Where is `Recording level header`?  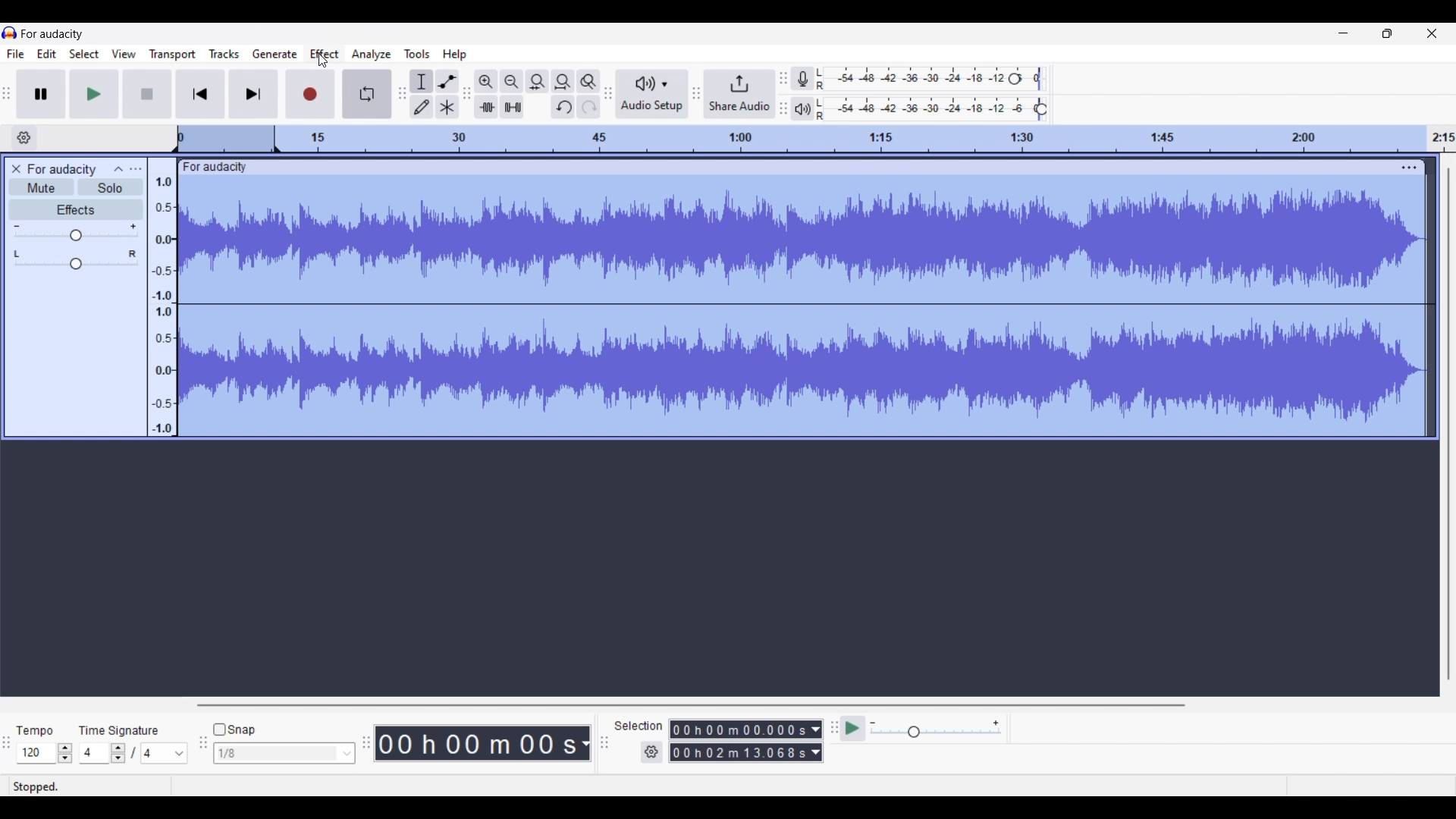 Recording level header is located at coordinates (1015, 79).